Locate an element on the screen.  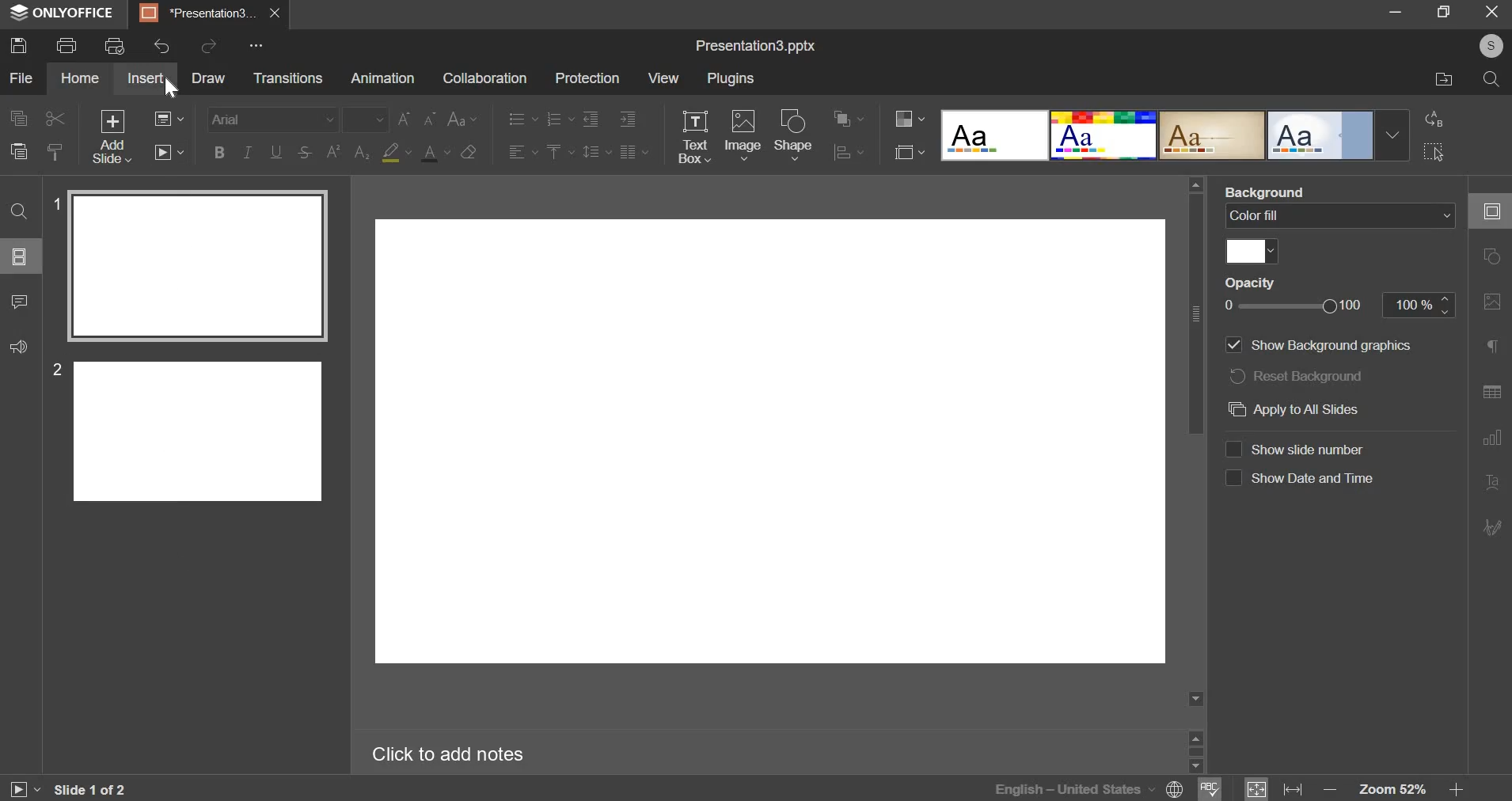
presentation3.pptx is located at coordinates (755, 47).